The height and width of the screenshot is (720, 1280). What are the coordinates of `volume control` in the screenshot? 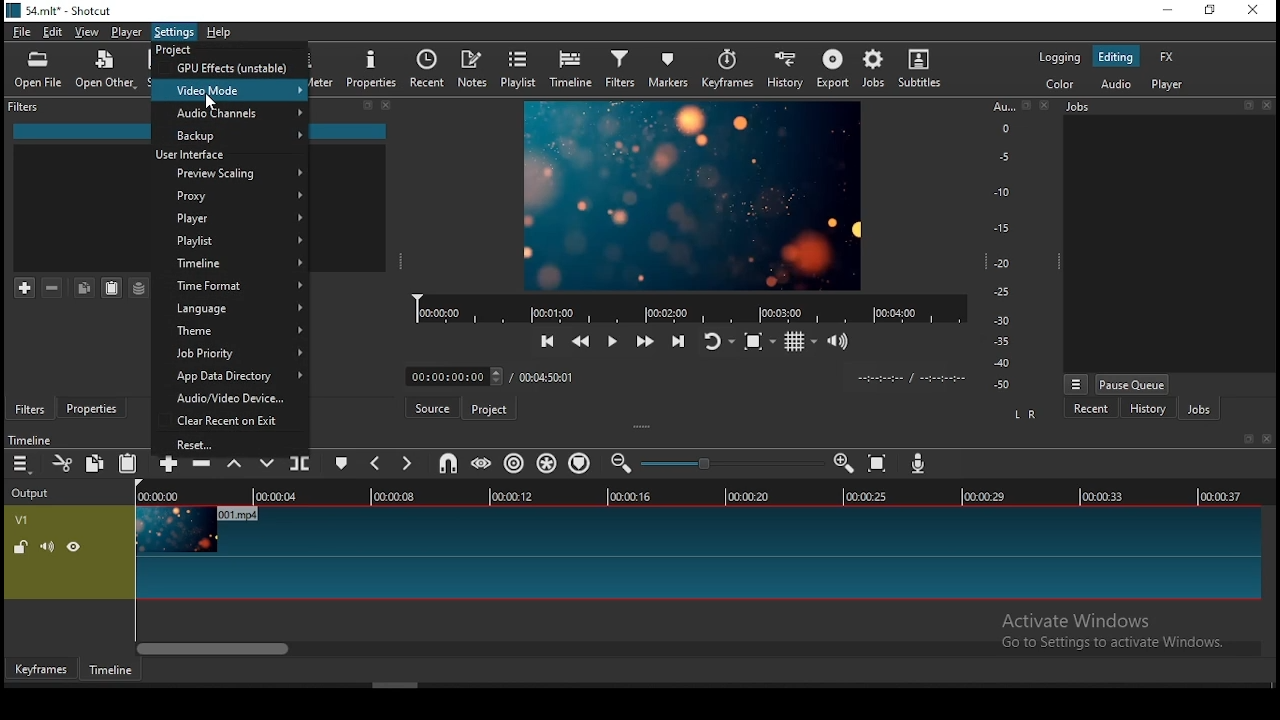 It's located at (842, 340).